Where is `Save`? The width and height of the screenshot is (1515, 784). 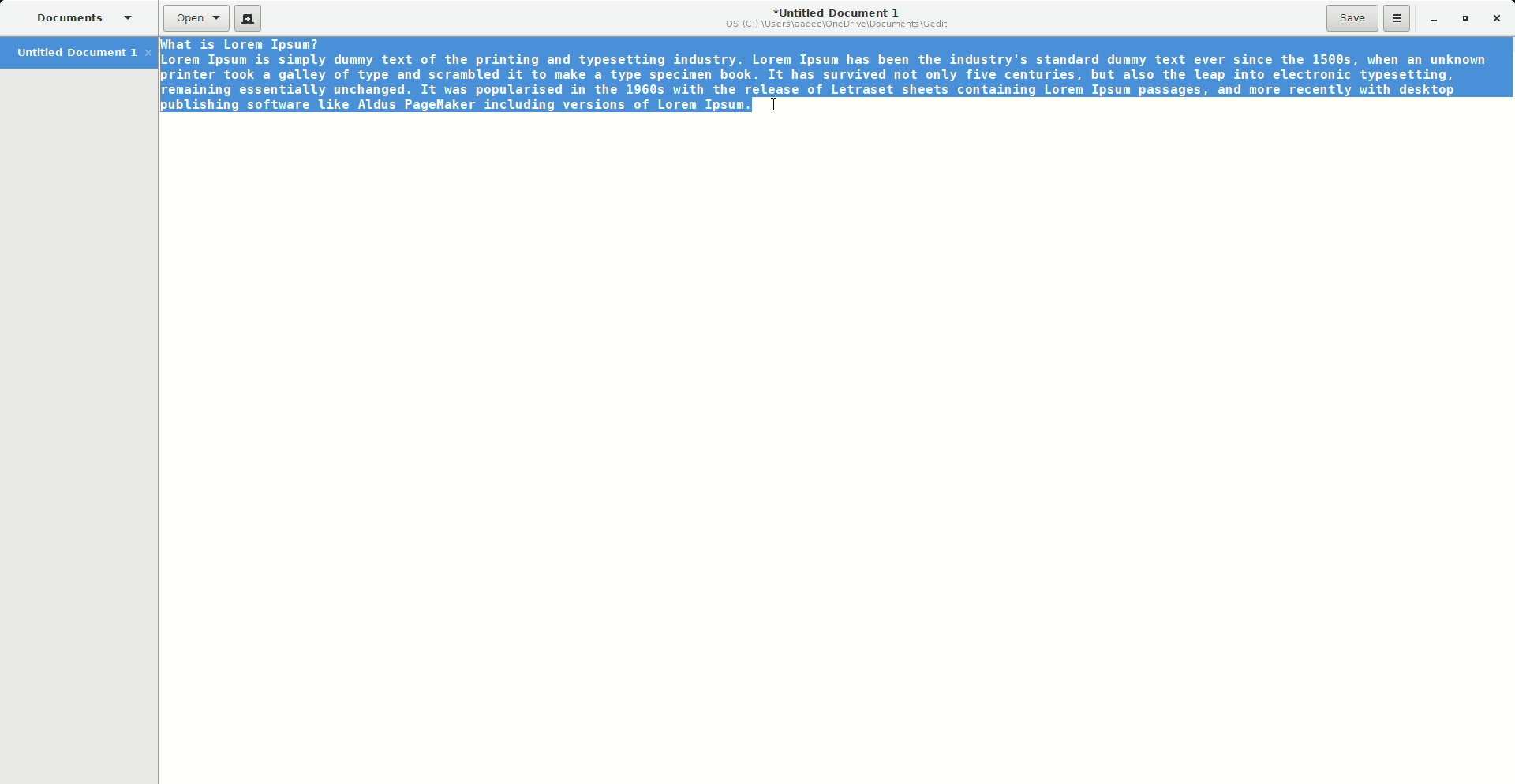
Save is located at coordinates (1352, 18).